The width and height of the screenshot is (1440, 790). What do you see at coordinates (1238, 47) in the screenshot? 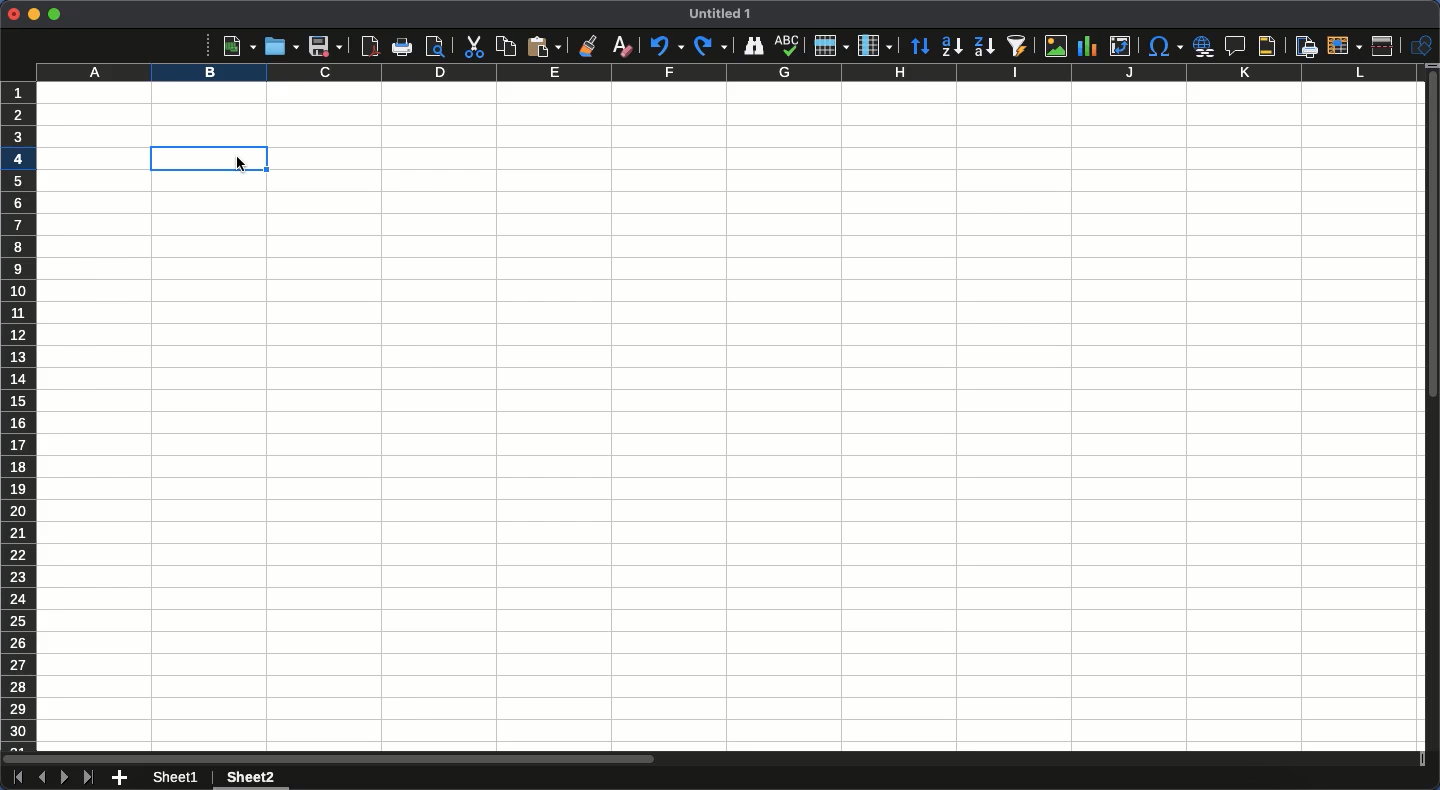
I see `Insert comment` at bounding box center [1238, 47].